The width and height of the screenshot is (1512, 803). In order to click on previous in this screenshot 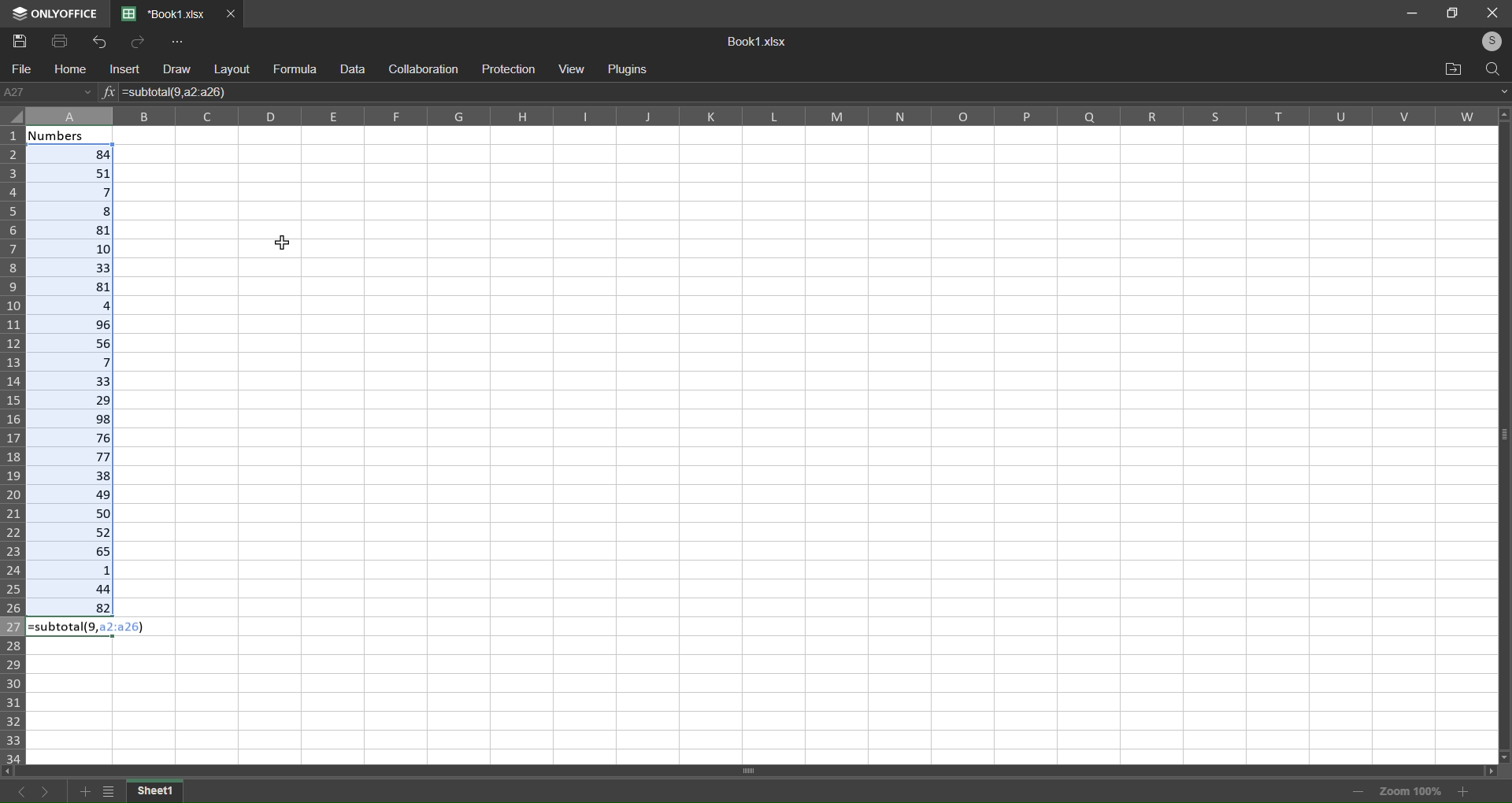, I will do `click(15, 789)`.